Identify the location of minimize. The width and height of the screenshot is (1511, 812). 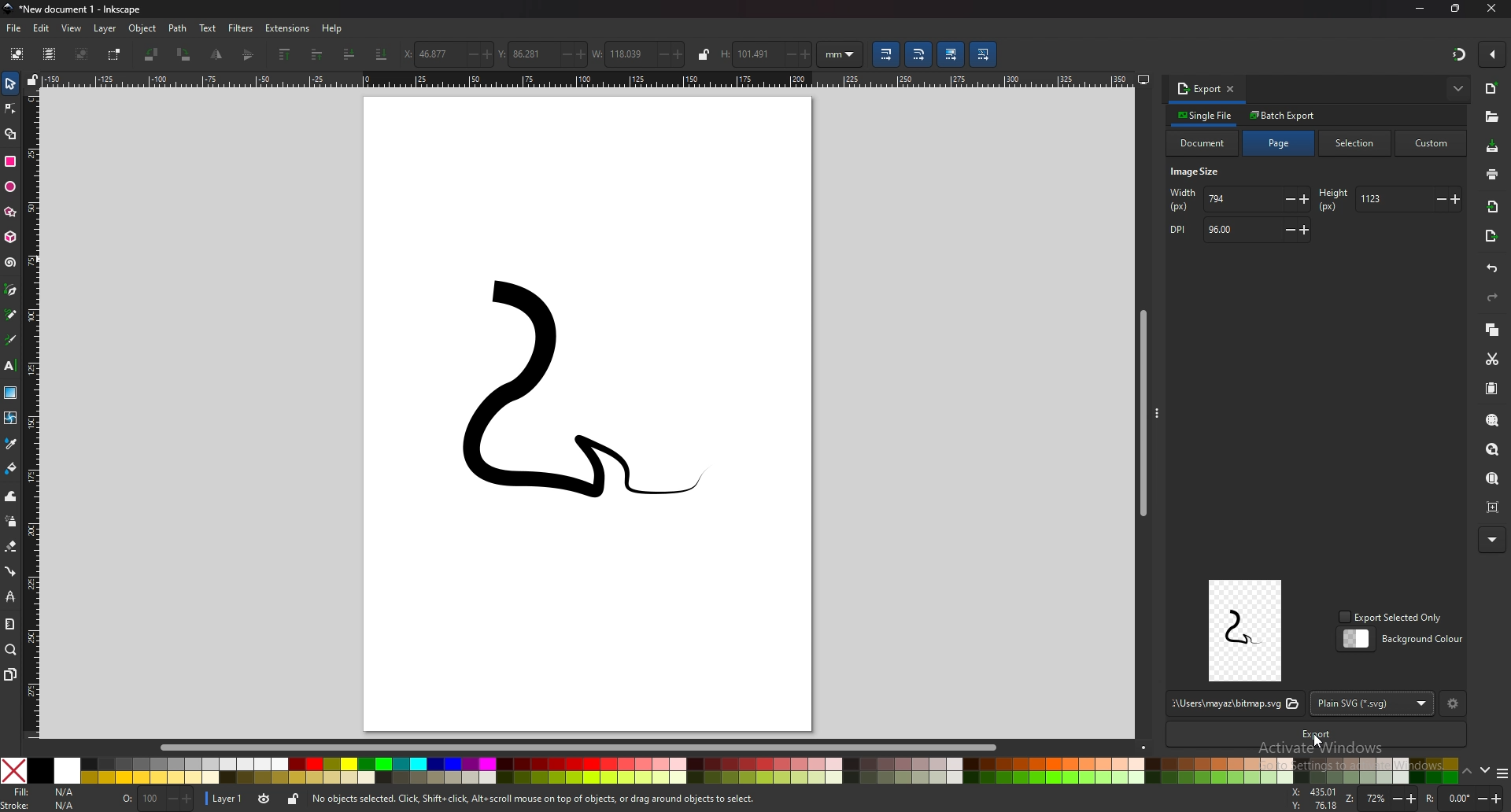
(1418, 9).